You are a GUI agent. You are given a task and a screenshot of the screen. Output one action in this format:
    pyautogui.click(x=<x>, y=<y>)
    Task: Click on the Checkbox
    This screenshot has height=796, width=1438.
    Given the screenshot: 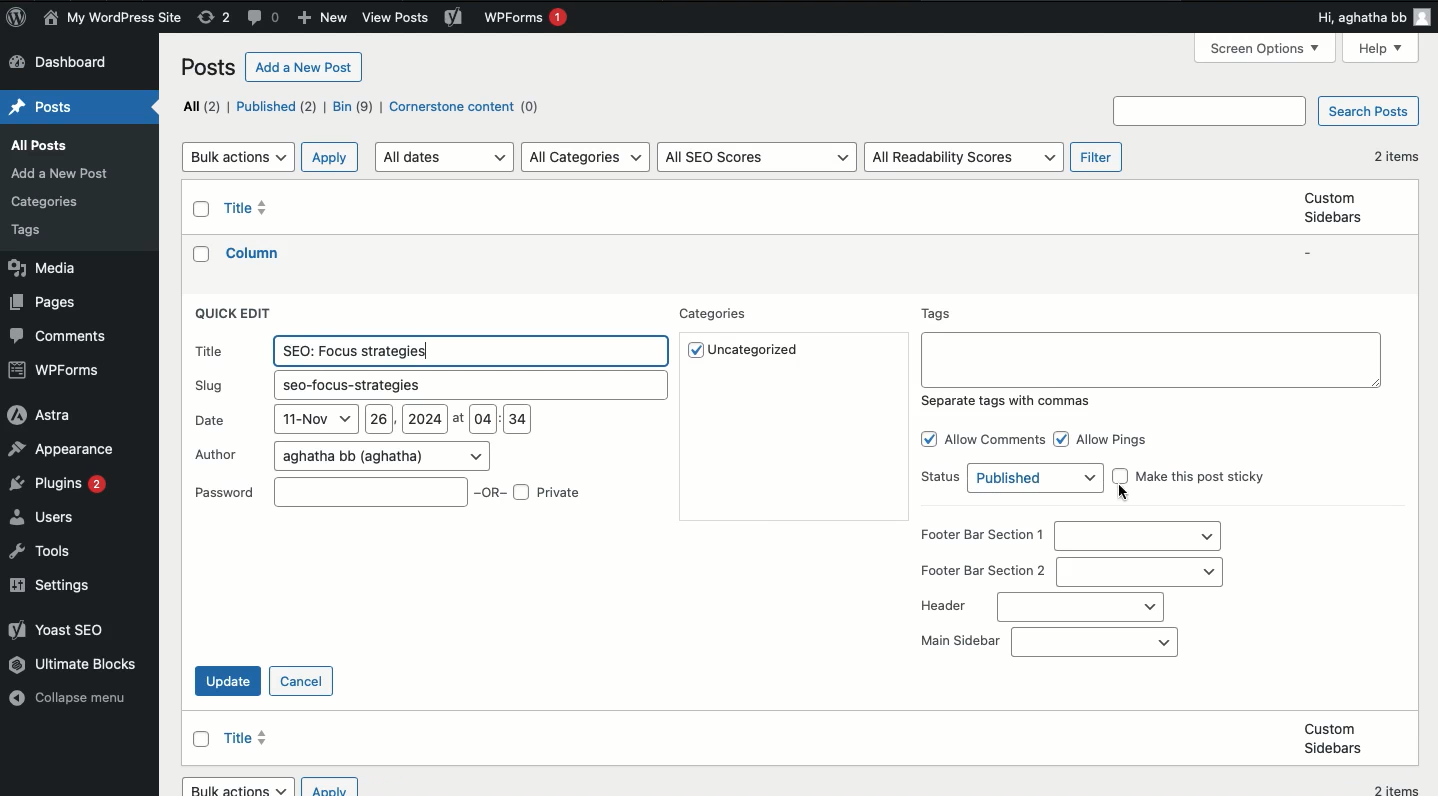 What is the action you would take?
    pyautogui.click(x=522, y=493)
    